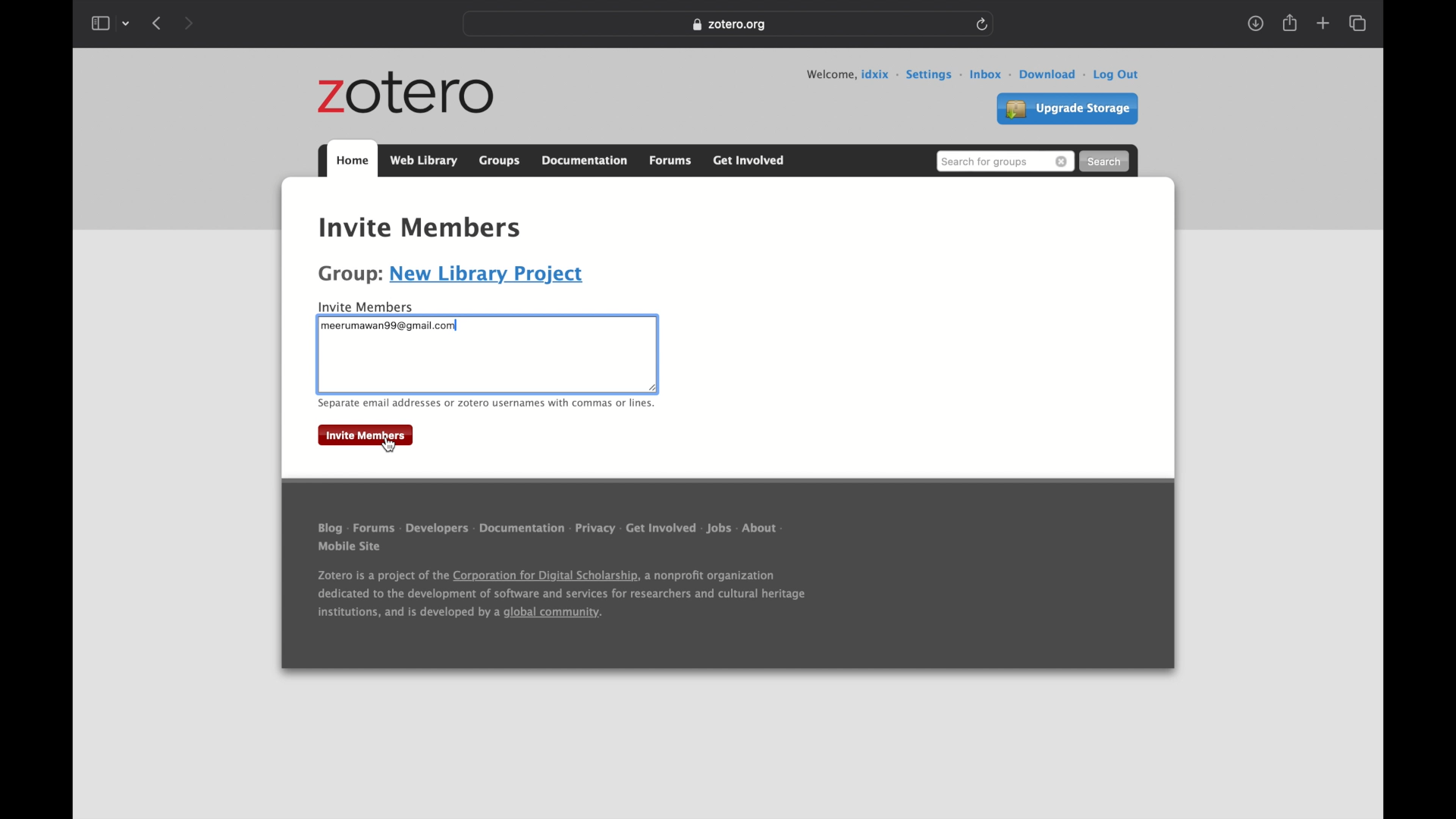 The image size is (1456, 819). Describe the element at coordinates (1254, 24) in the screenshot. I see `show downloads` at that location.